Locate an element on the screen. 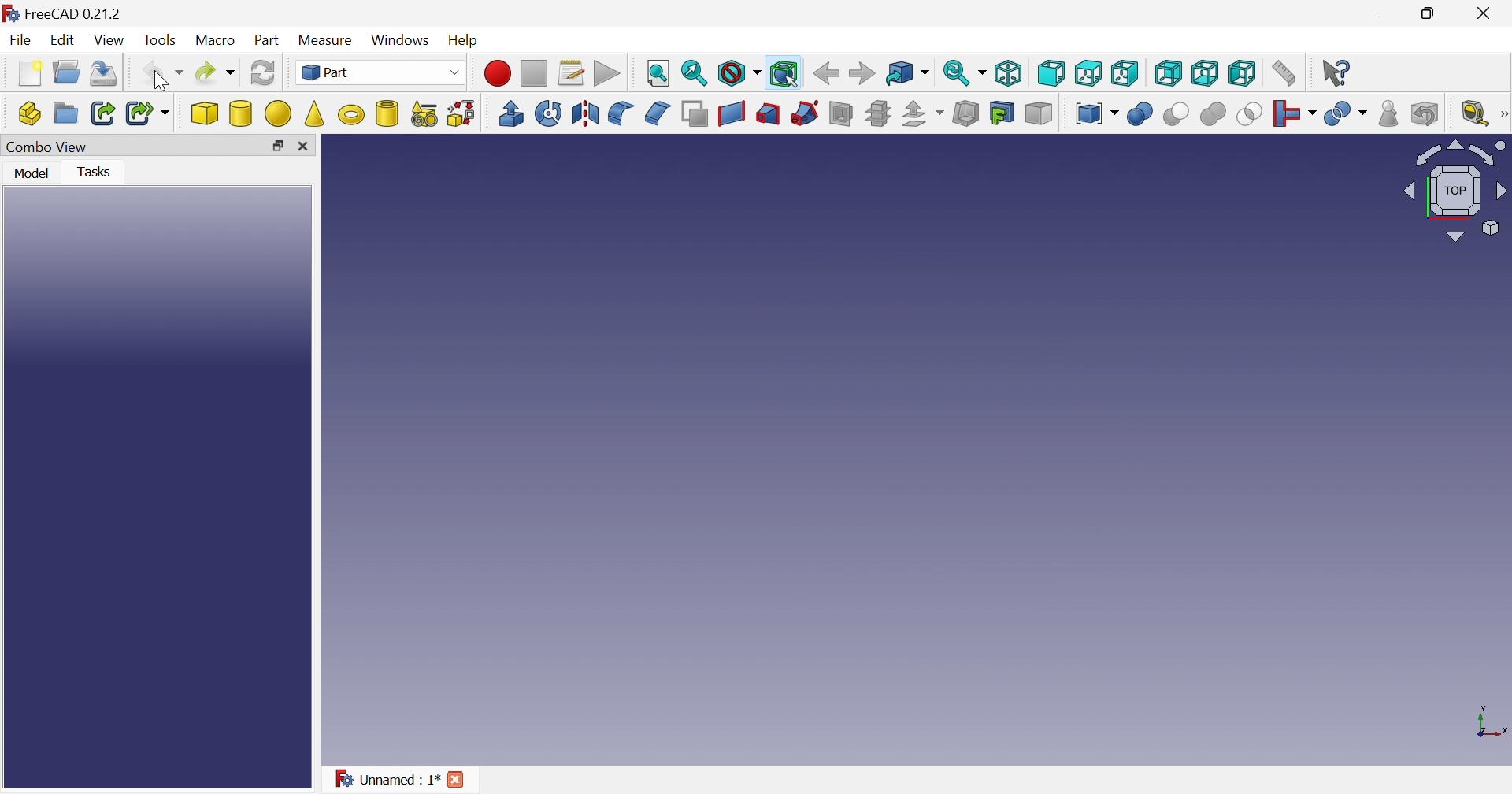 The height and width of the screenshot is (794, 1512). Section is located at coordinates (841, 115).